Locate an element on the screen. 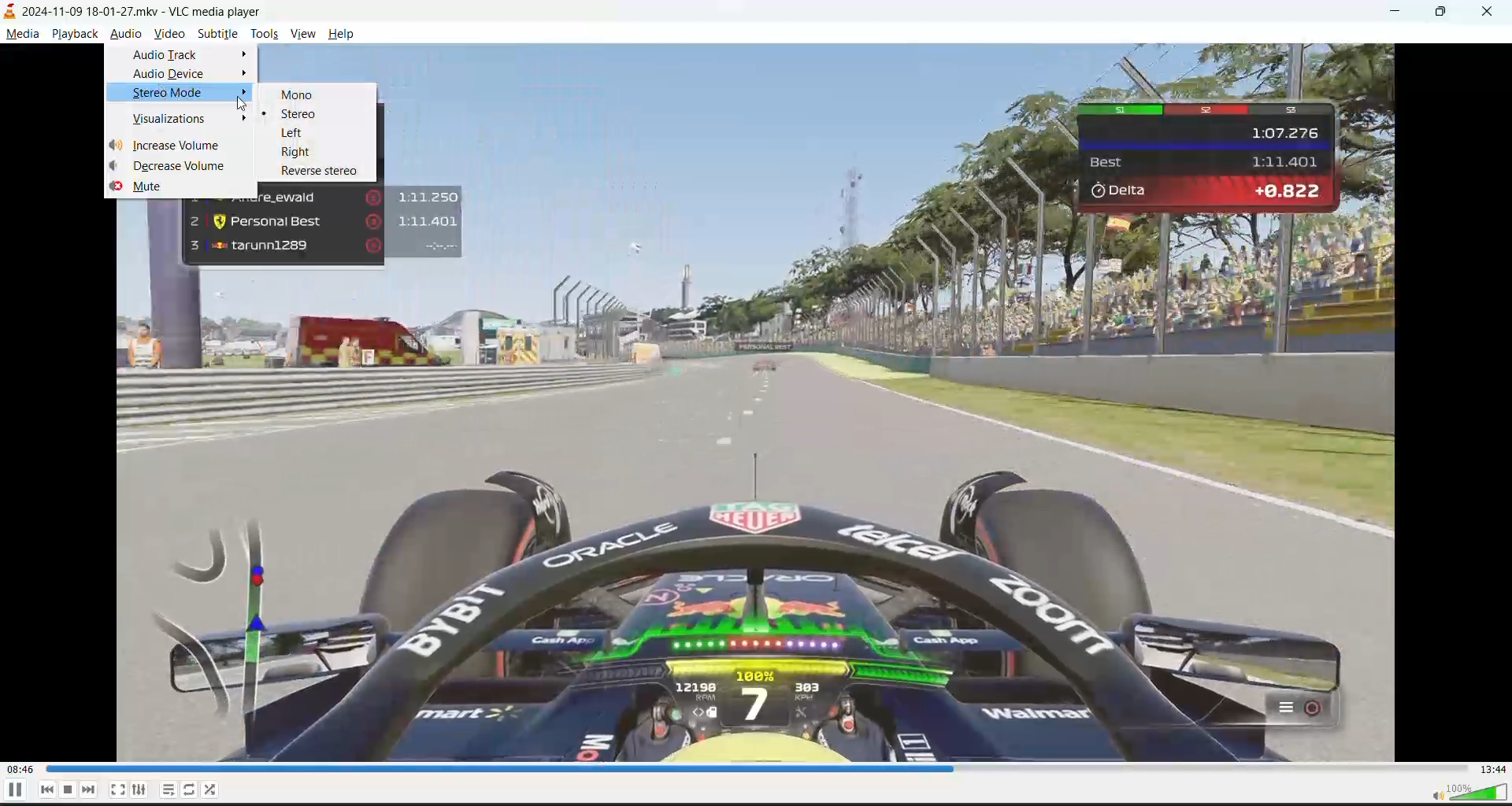 The height and width of the screenshot is (806, 1512). stop is located at coordinates (67, 789).